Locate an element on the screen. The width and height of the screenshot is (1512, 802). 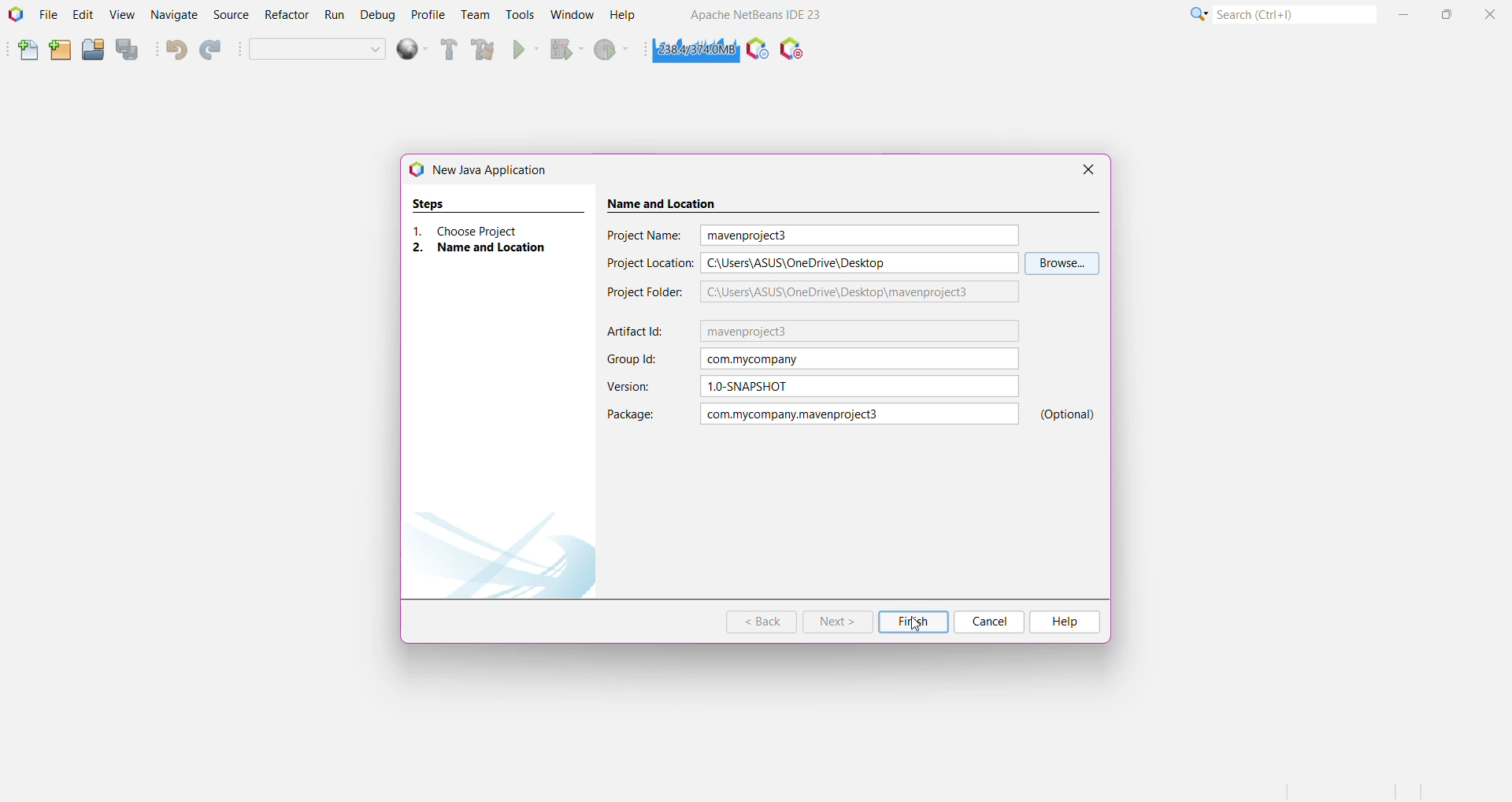
deploy is located at coordinates (410, 50).